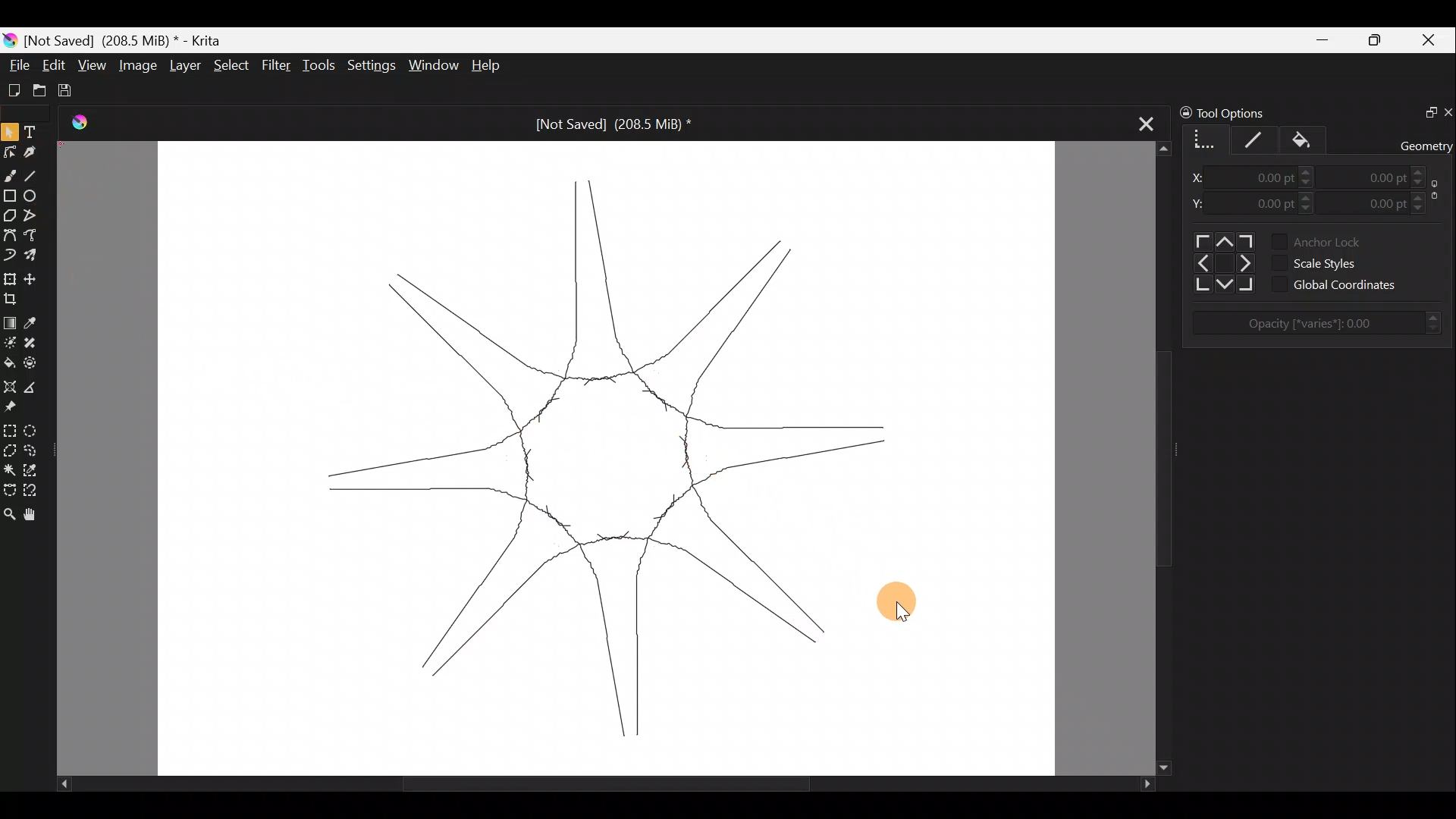  I want to click on Scroll bar, so click(581, 783).